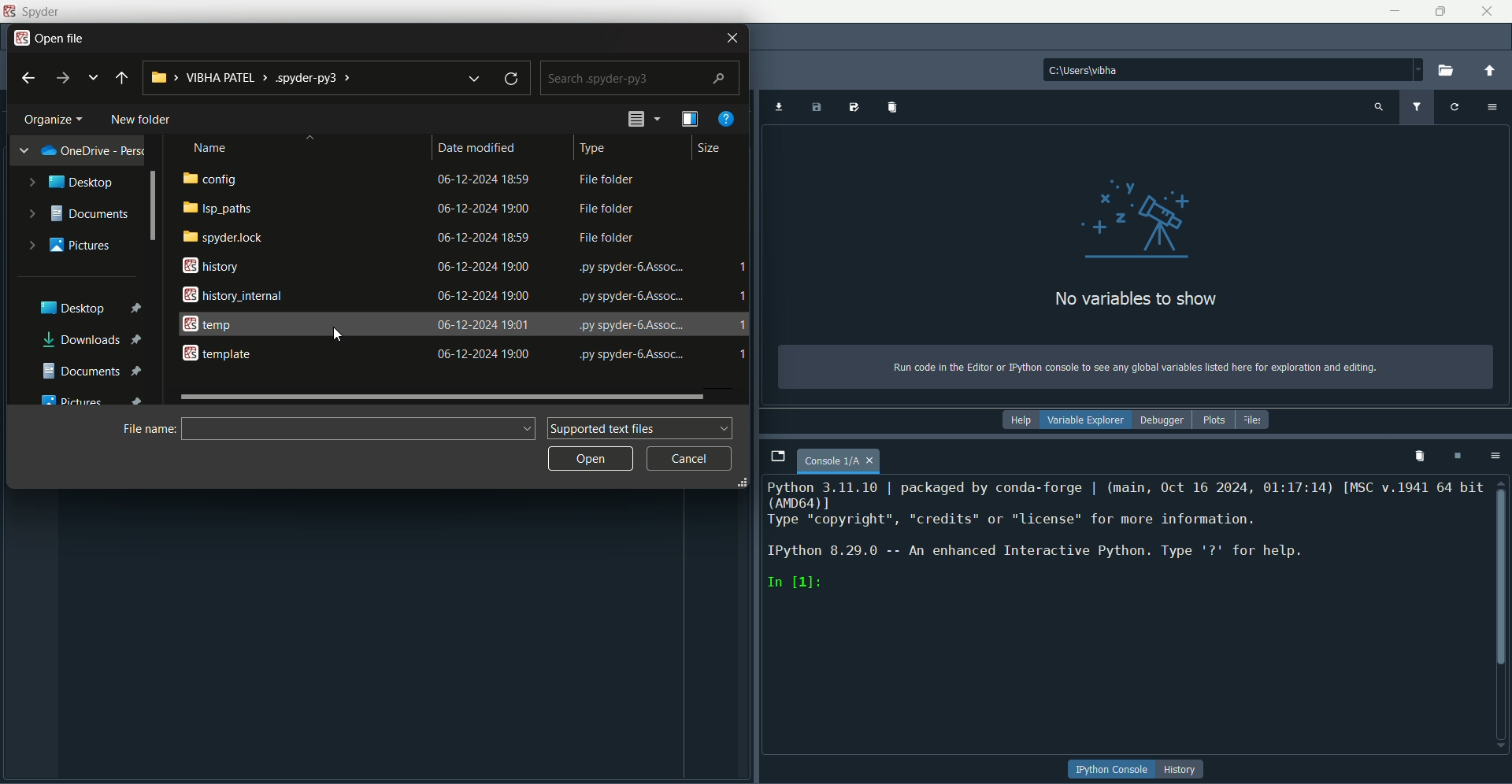 This screenshot has width=1512, height=784. What do you see at coordinates (1499, 457) in the screenshot?
I see `options` at bounding box center [1499, 457].